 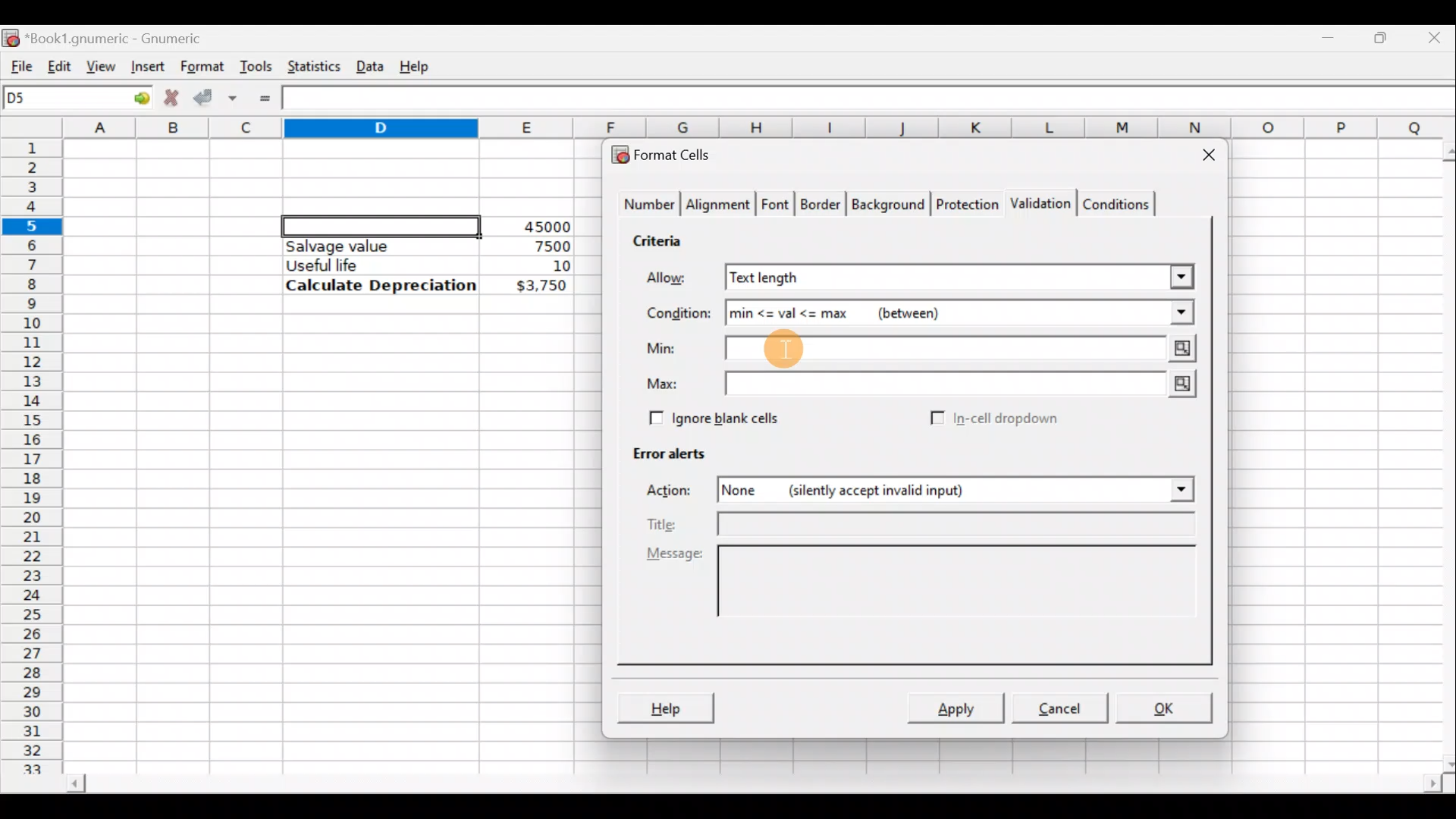 What do you see at coordinates (1180, 275) in the screenshot?
I see `Allow drop down` at bounding box center [1180, 275].